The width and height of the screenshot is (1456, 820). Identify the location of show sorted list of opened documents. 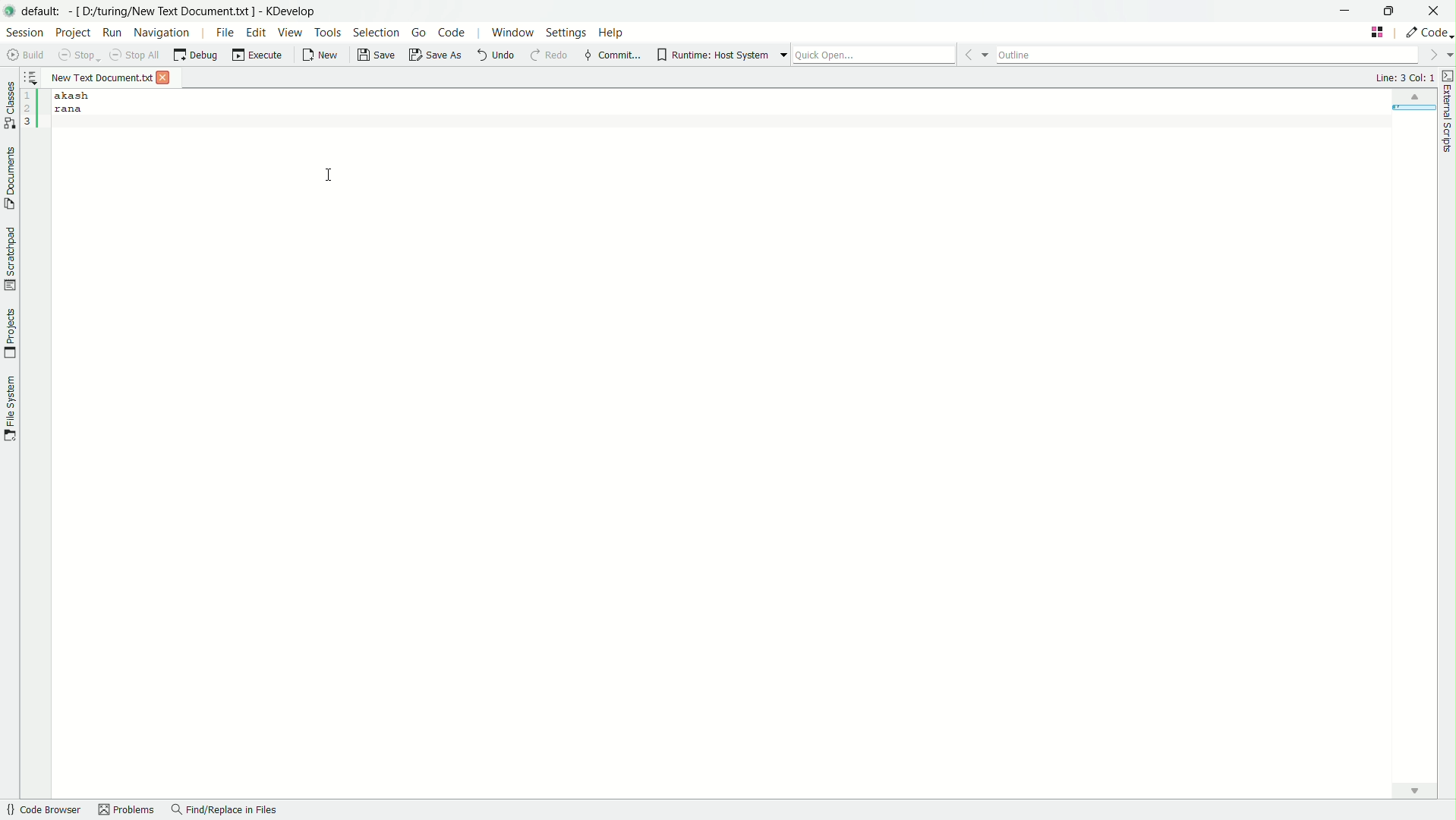
(32, 78).